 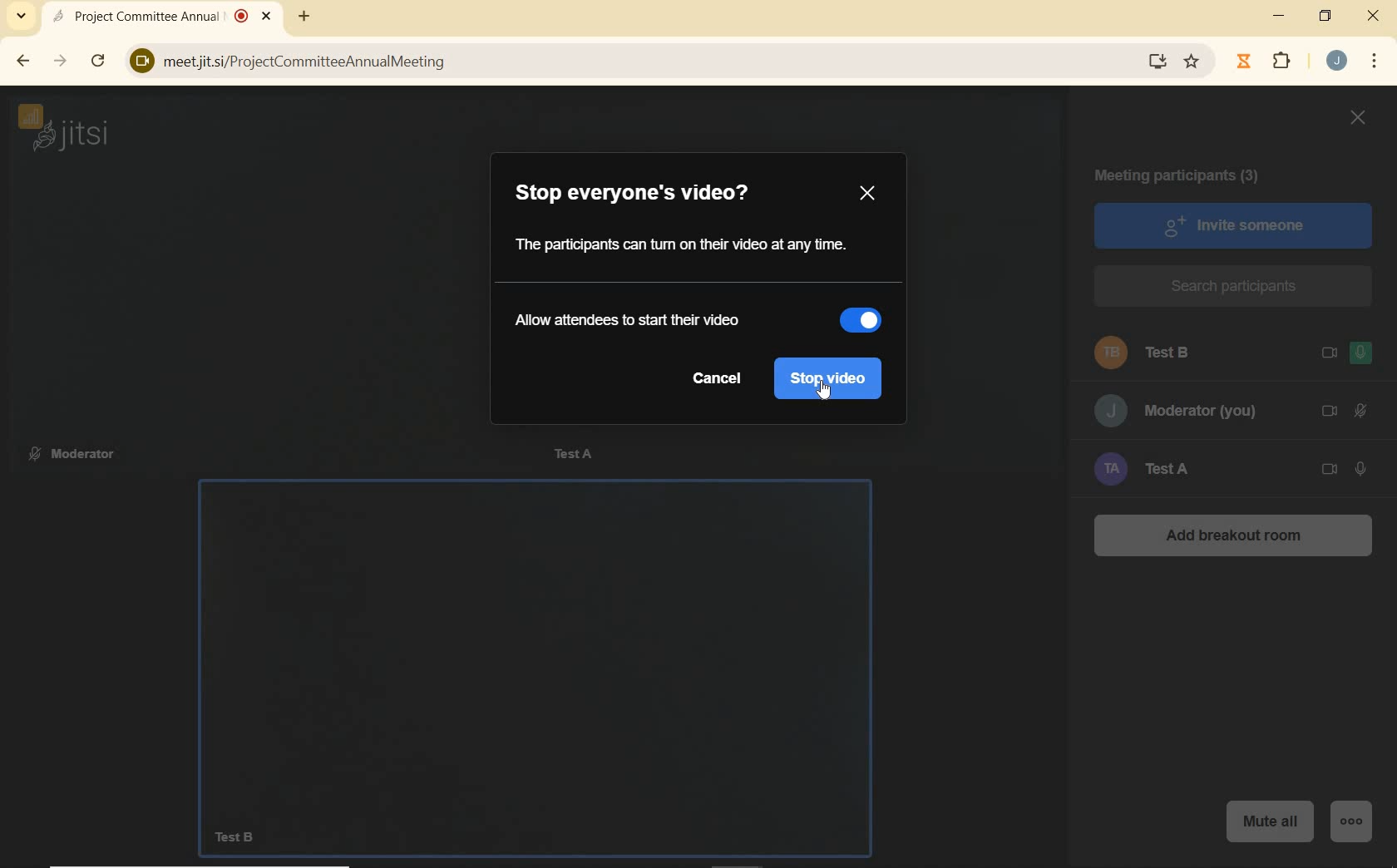 What do you see at coordinates (1279, 17) in the screenshot?
I see `MINIMIZE` at bounding box center [1279, 17].